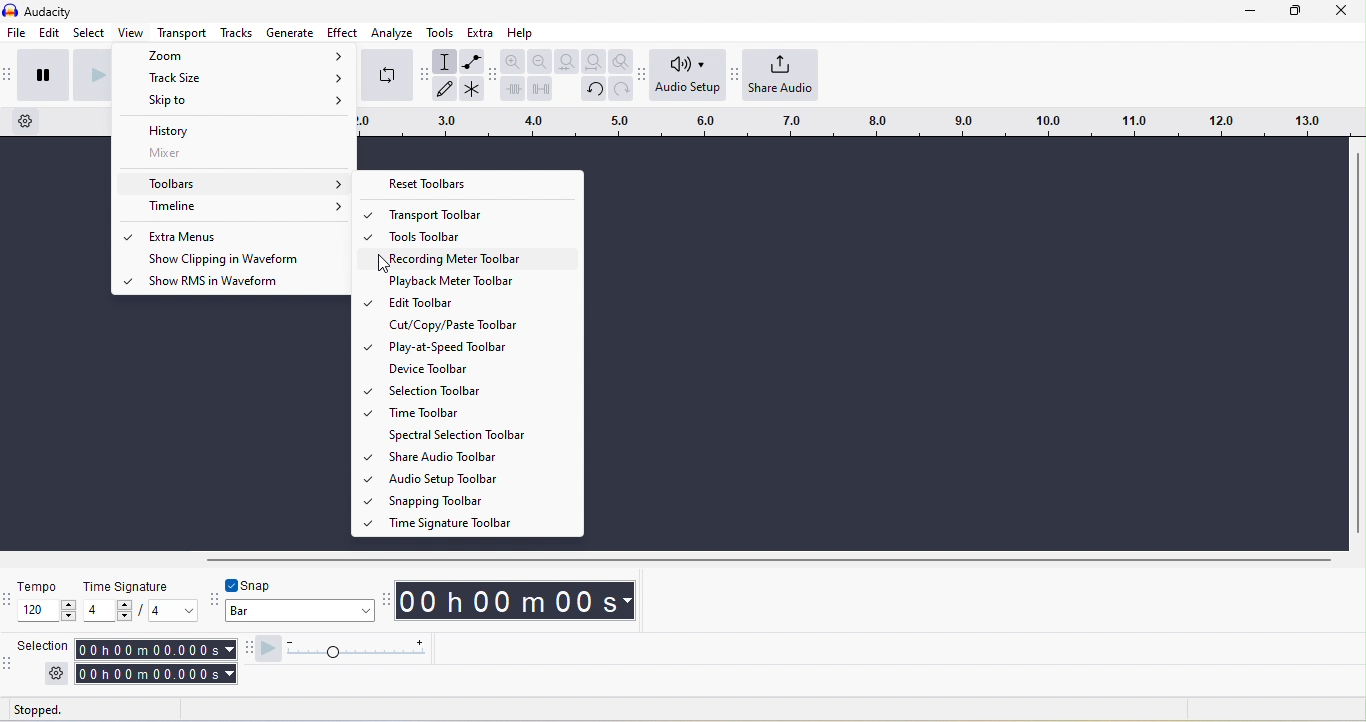 The image size is (1366, 722). Describe the element at coordinates (385, 264) in the screenshot. I see `cursor` at that location.